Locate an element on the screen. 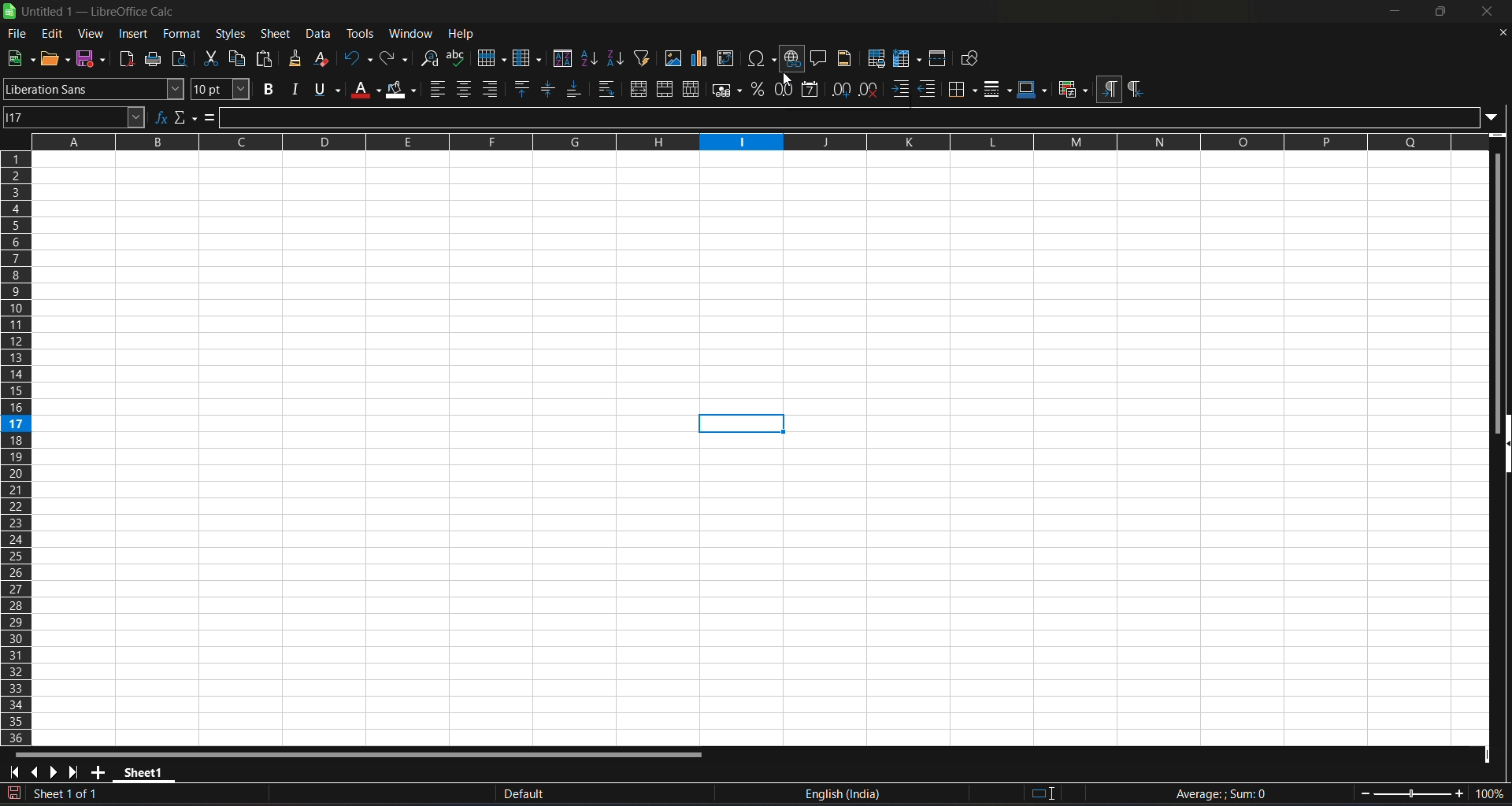 This screenshot has height=806, width=1512. show draw functions is located at coordinates (973, 58).